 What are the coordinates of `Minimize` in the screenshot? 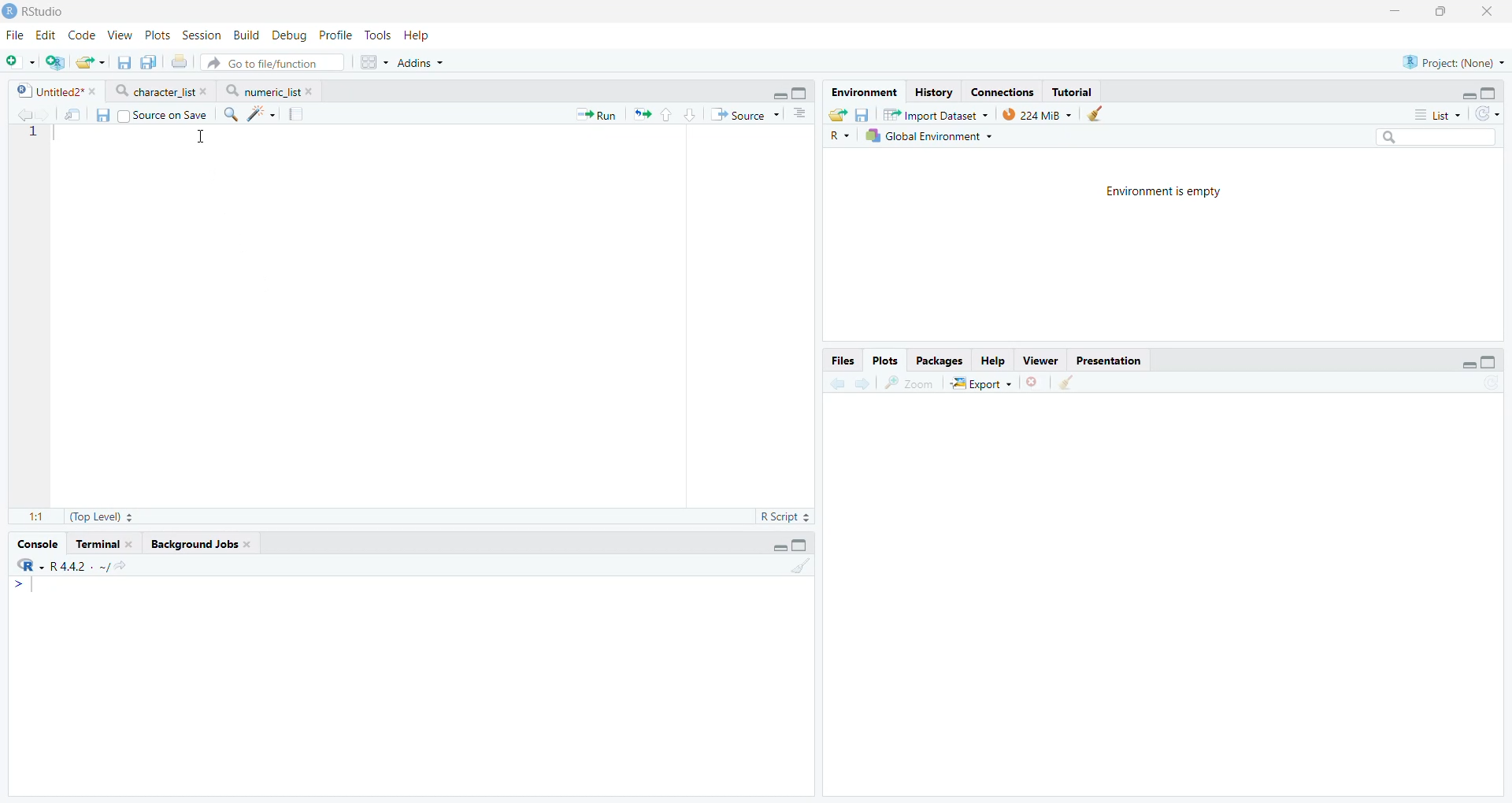 It's located at (1398, 11).